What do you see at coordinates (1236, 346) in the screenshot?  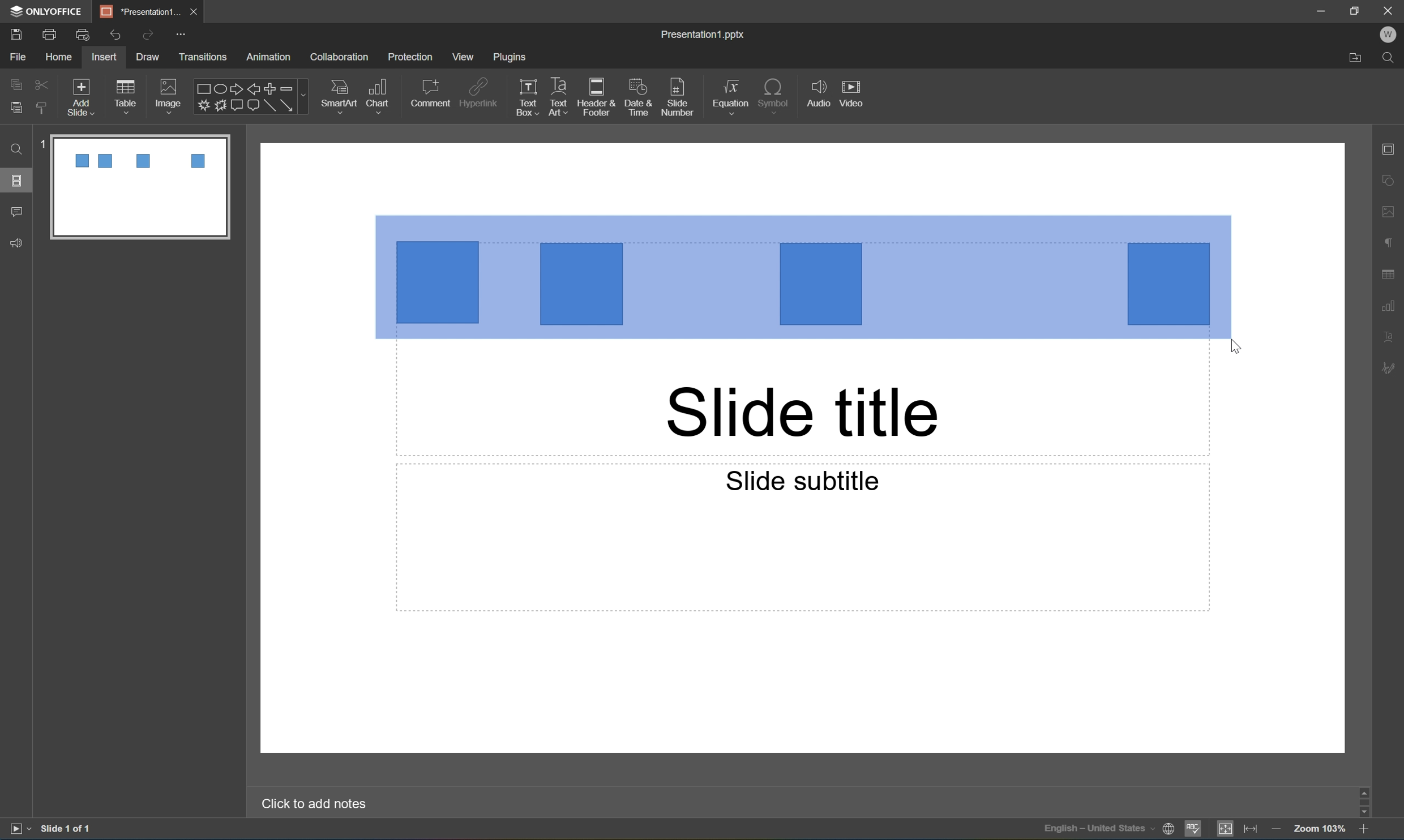 I see `MOUSE_UP Cursor Position` at bounding box center [1236, 346].